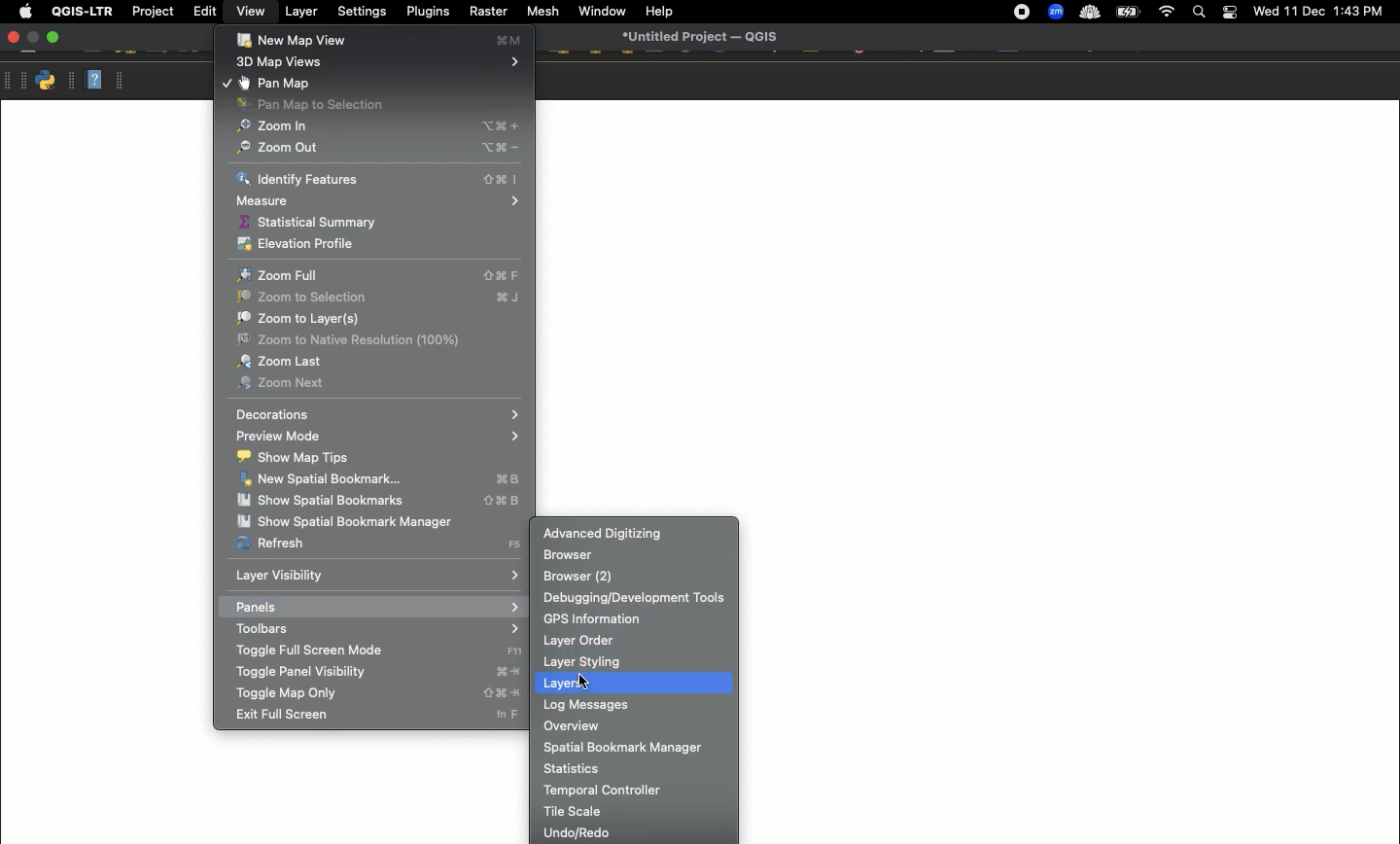 The width and height of the screenshot is (1400, 844). What do you see at coordinates (377, 436) in the screenshot?
I see `Preview mode` at bounding box center [377, 436].